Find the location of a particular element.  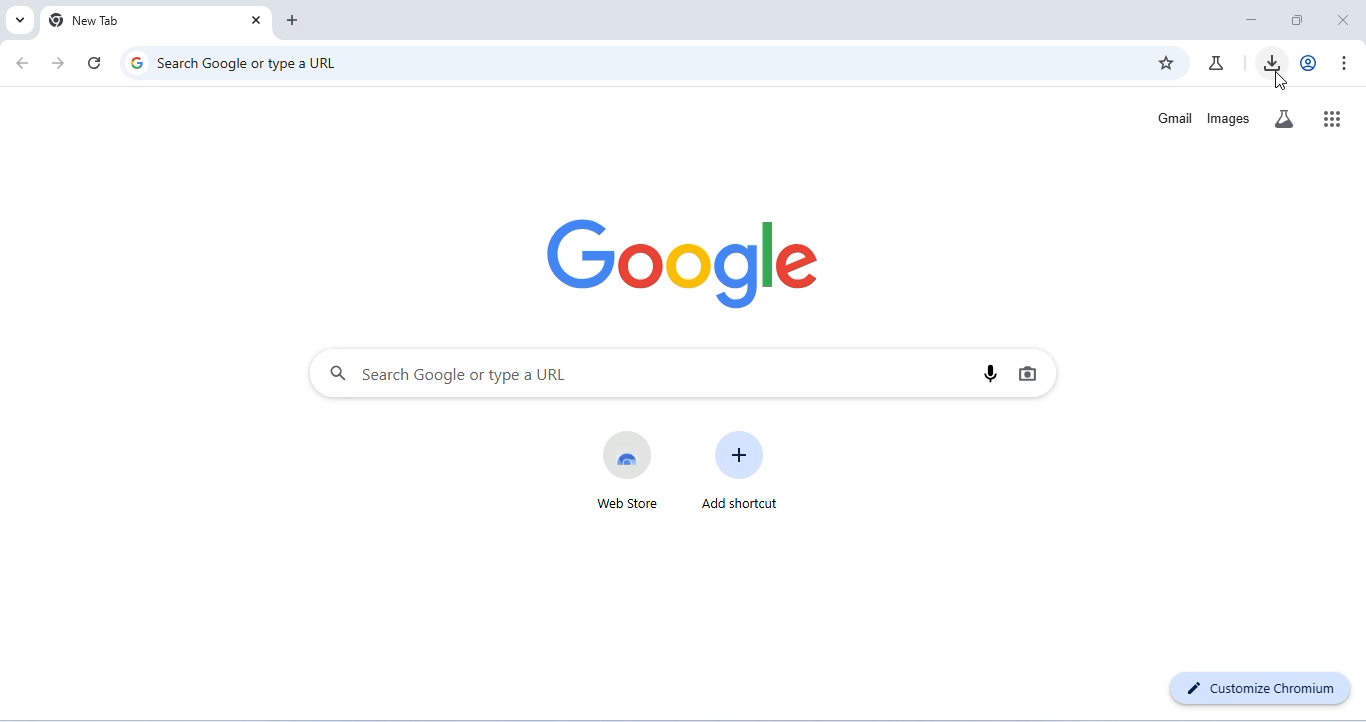

search google or type a URL is located at coordinates (233, 62).